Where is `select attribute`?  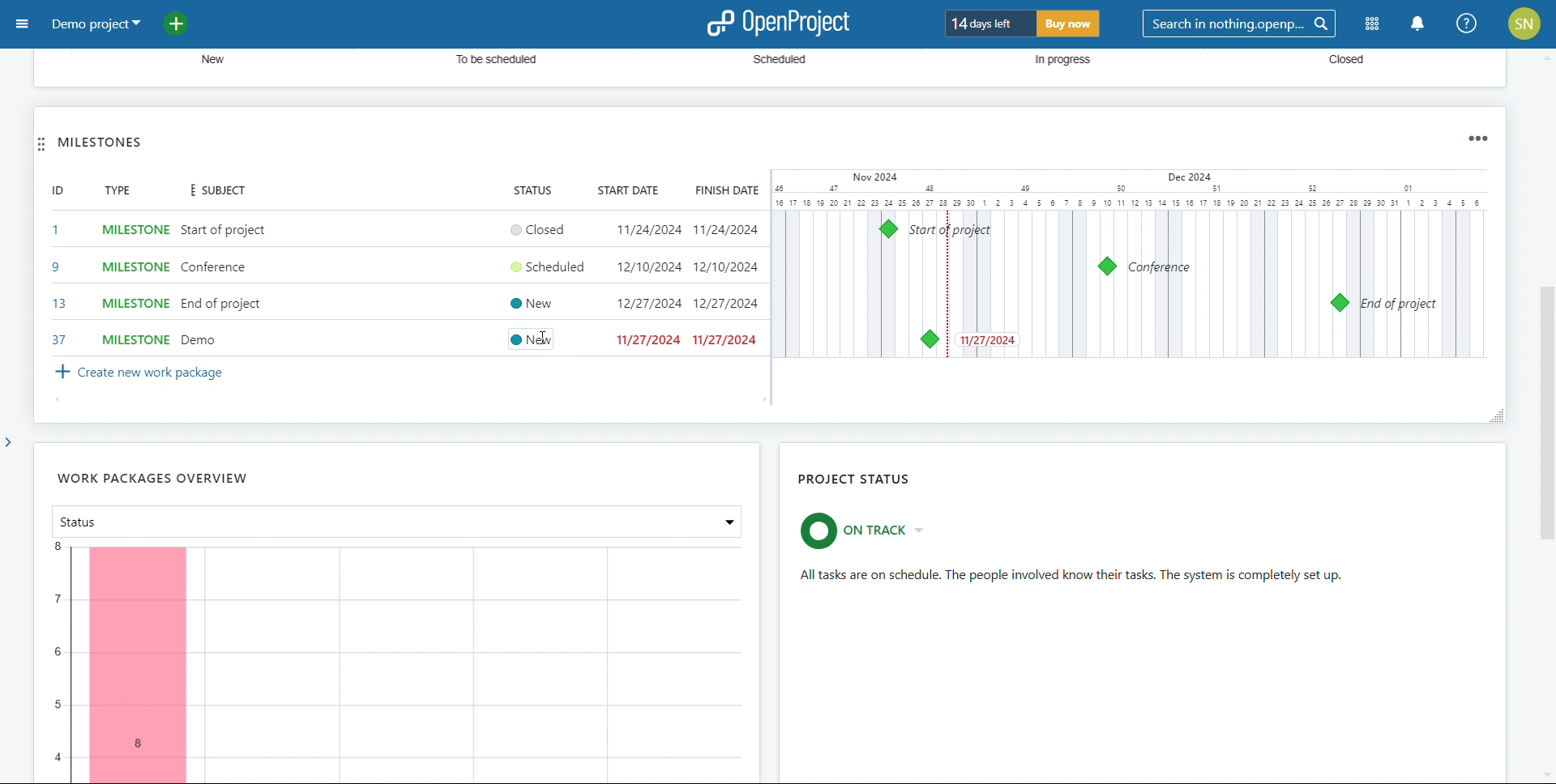
select attribute is located at coordinates (394, 520).